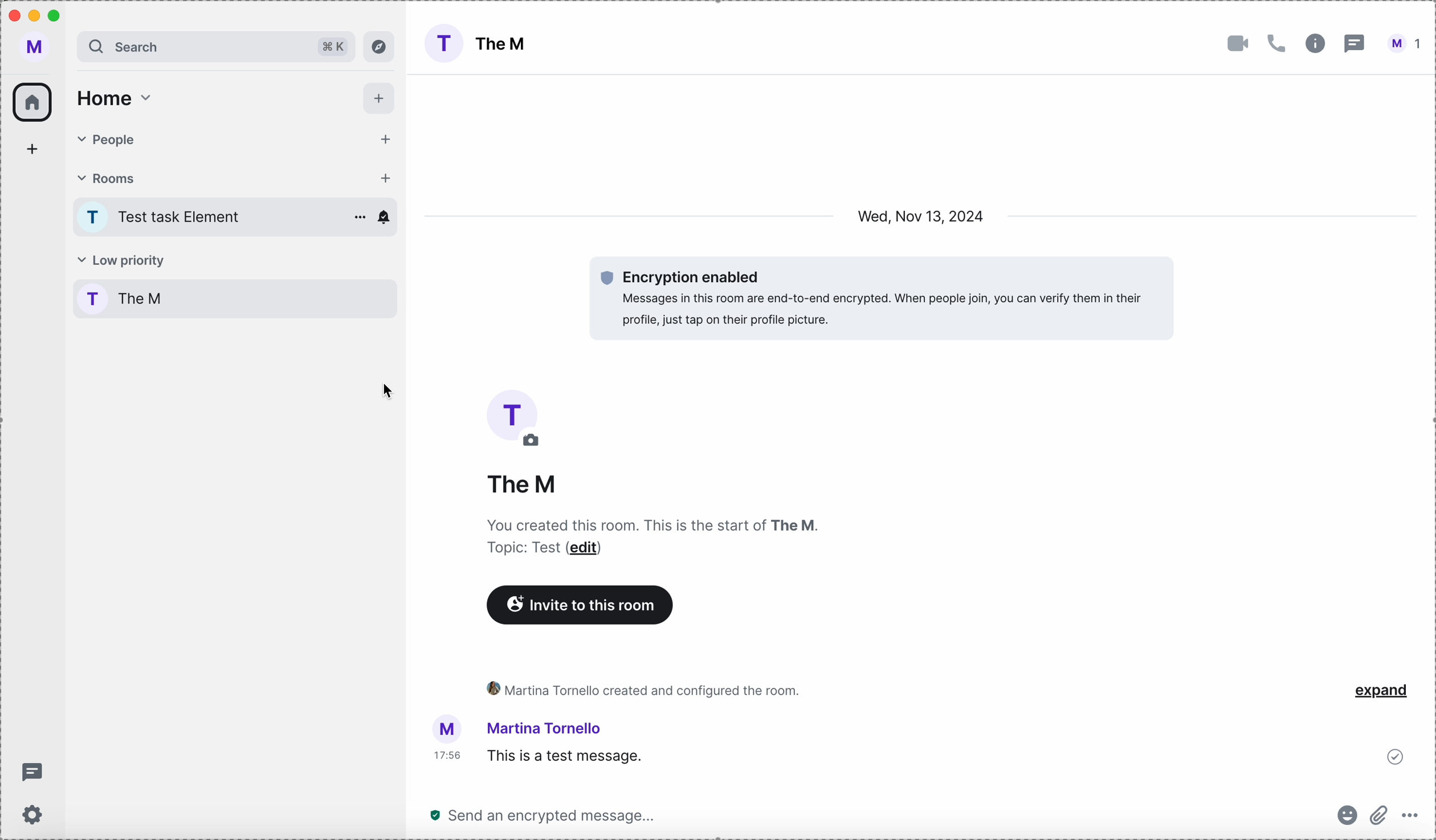 The image size is (1436, 840). What do you see at coordinates (1278, 44) in the screenshot?
I see `call` at bounding box center [1278, 44].